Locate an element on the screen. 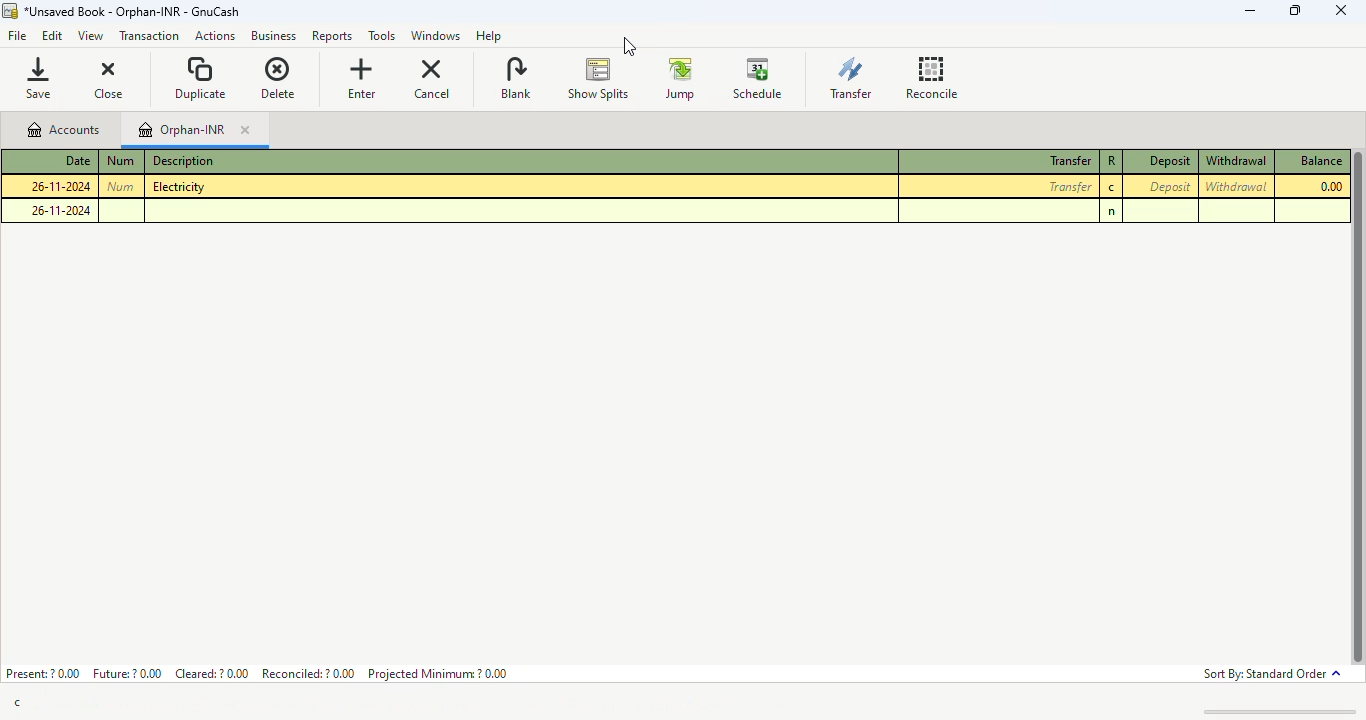 This screenshot has height=720, width=1366. sort by: standard order is located at coordinates (1271, 675).